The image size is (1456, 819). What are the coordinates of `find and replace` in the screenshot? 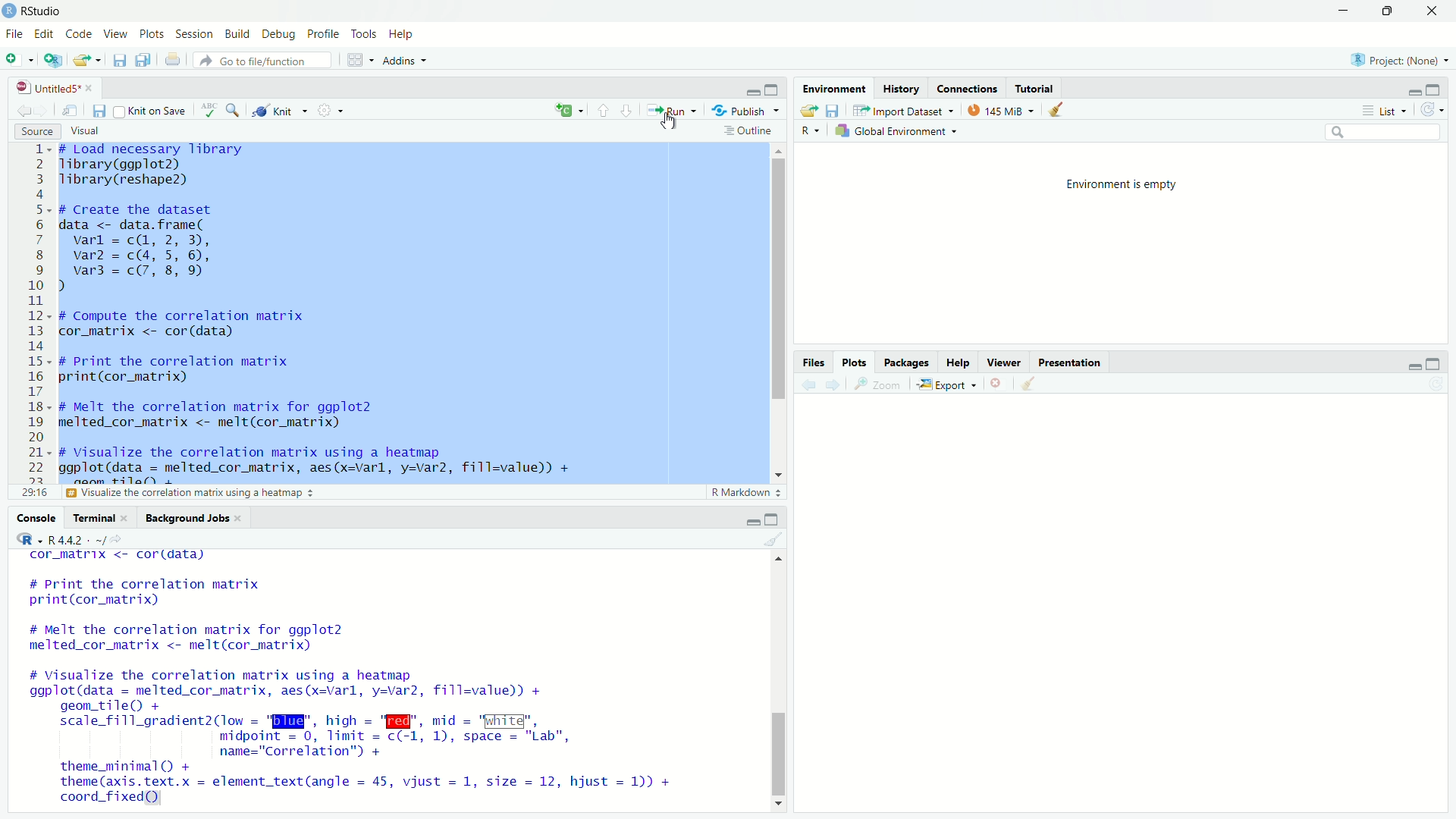 It's located at (233, 110).